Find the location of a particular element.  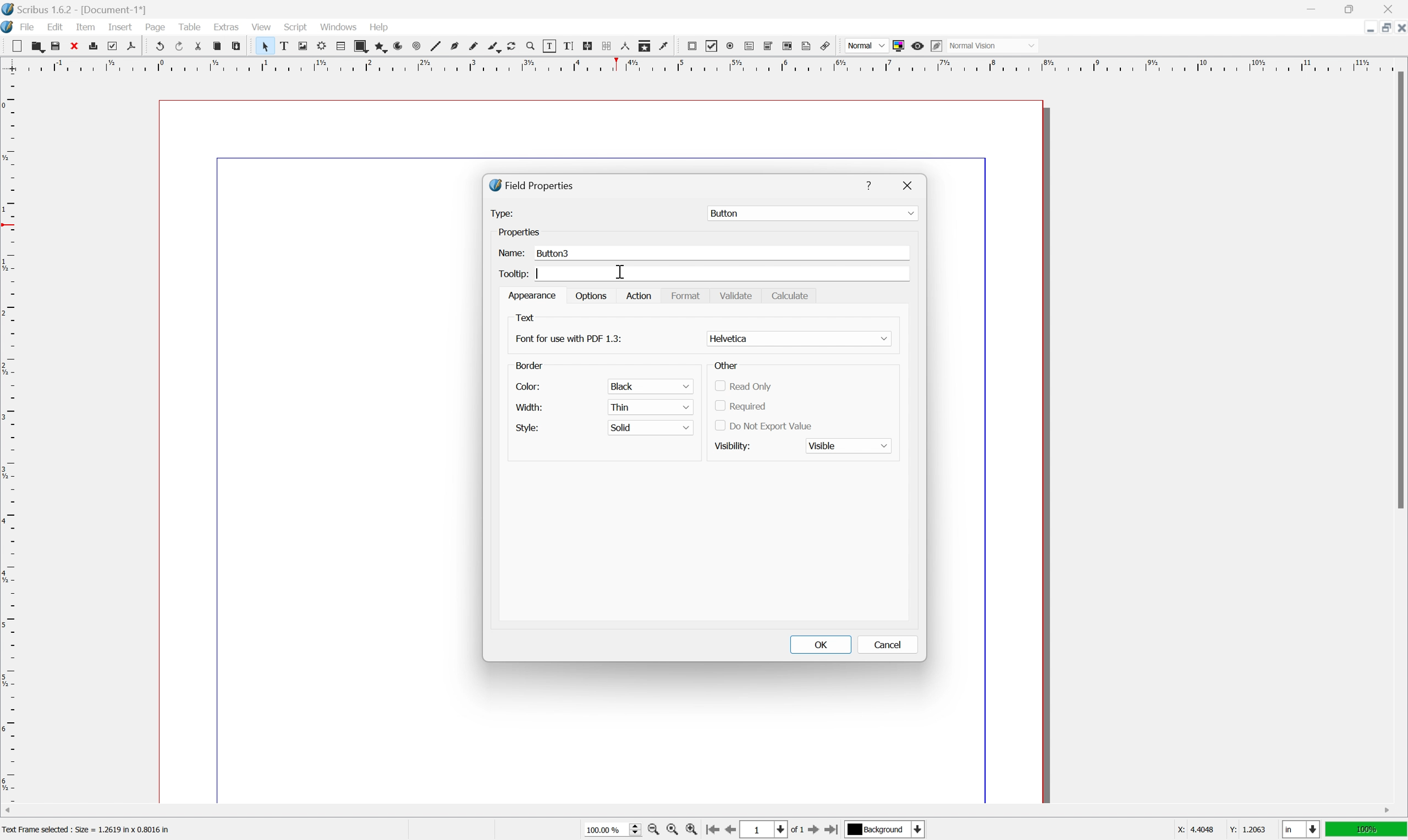

freehand line is located at coordinates (473, 46).